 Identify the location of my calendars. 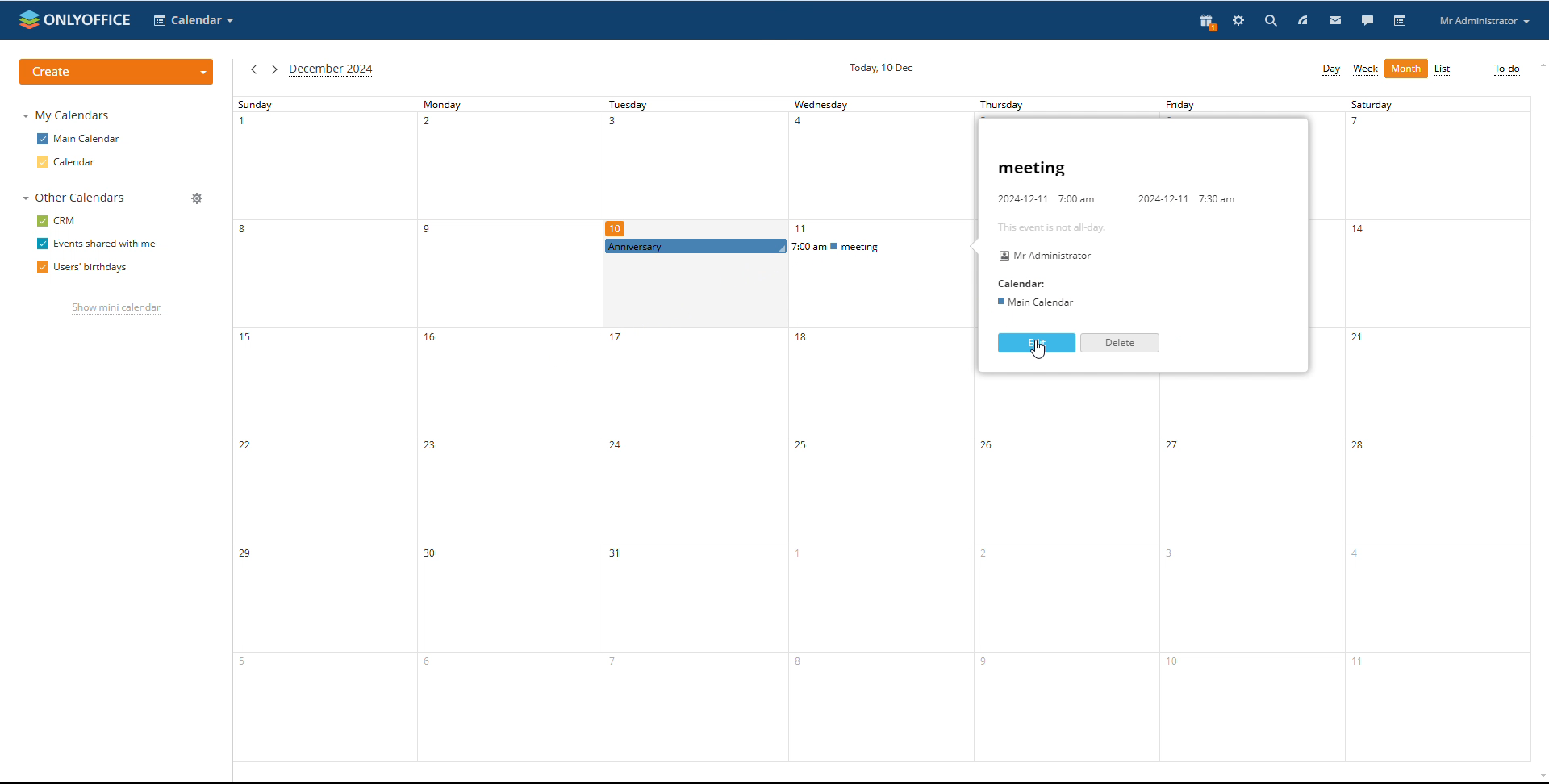
(65, 115).